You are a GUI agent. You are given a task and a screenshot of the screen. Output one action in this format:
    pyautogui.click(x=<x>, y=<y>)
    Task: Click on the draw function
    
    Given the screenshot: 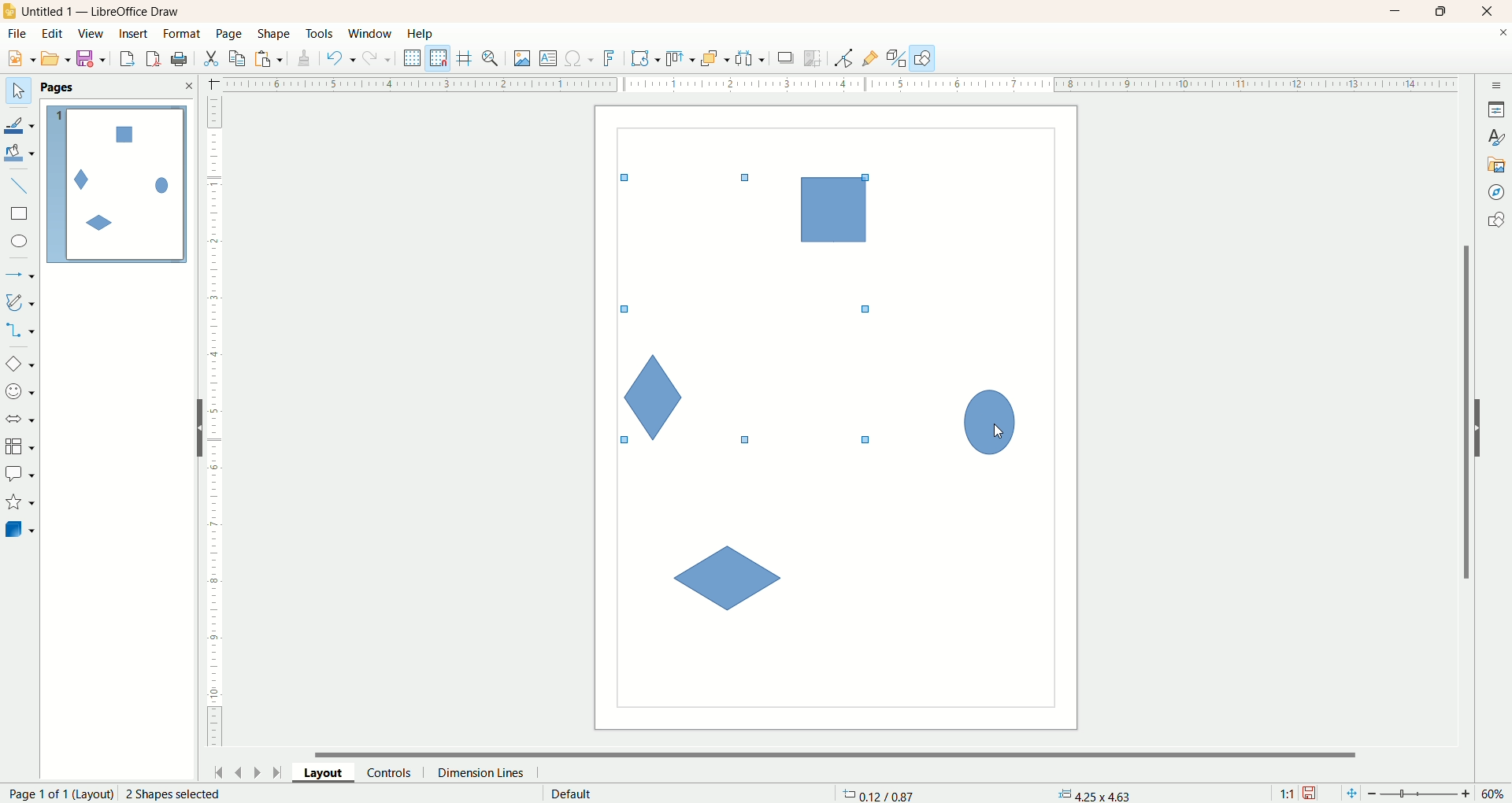 What is the action you would take?
    pyautogui.click(x=923, y=57)
    